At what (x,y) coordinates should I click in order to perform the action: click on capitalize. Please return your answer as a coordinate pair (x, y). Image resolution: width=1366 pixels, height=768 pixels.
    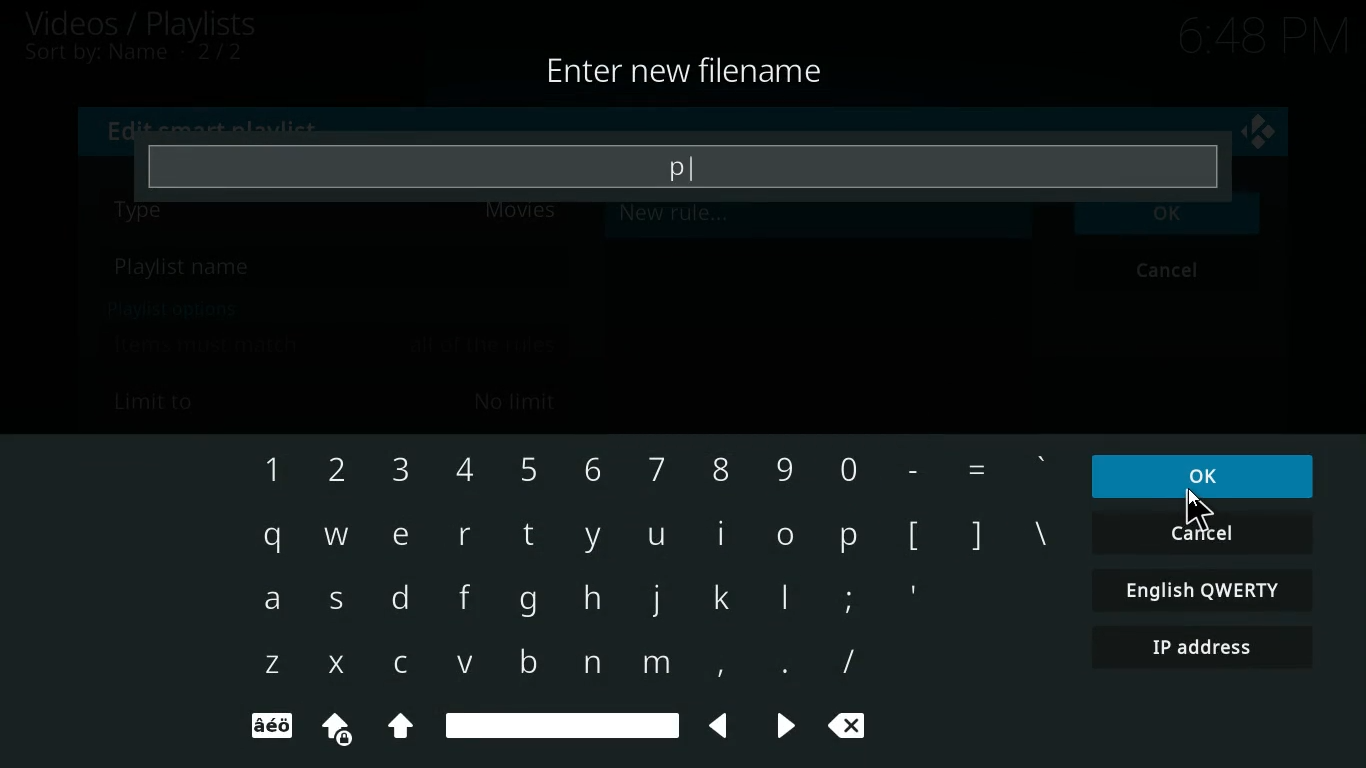
    Looking at the image, I should click on (401, 729).